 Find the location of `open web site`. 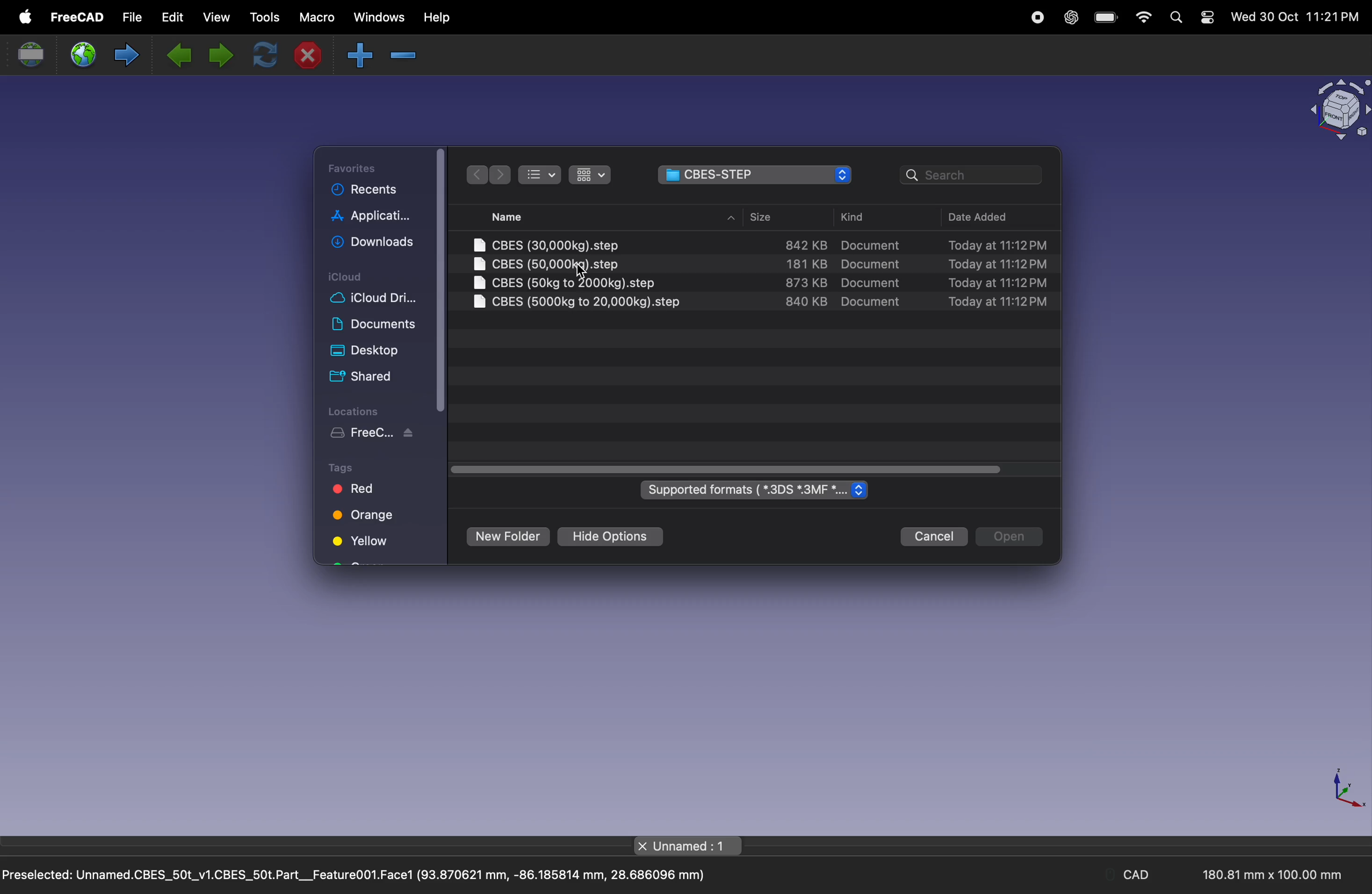

open web site is located at coordinates (82, 54).